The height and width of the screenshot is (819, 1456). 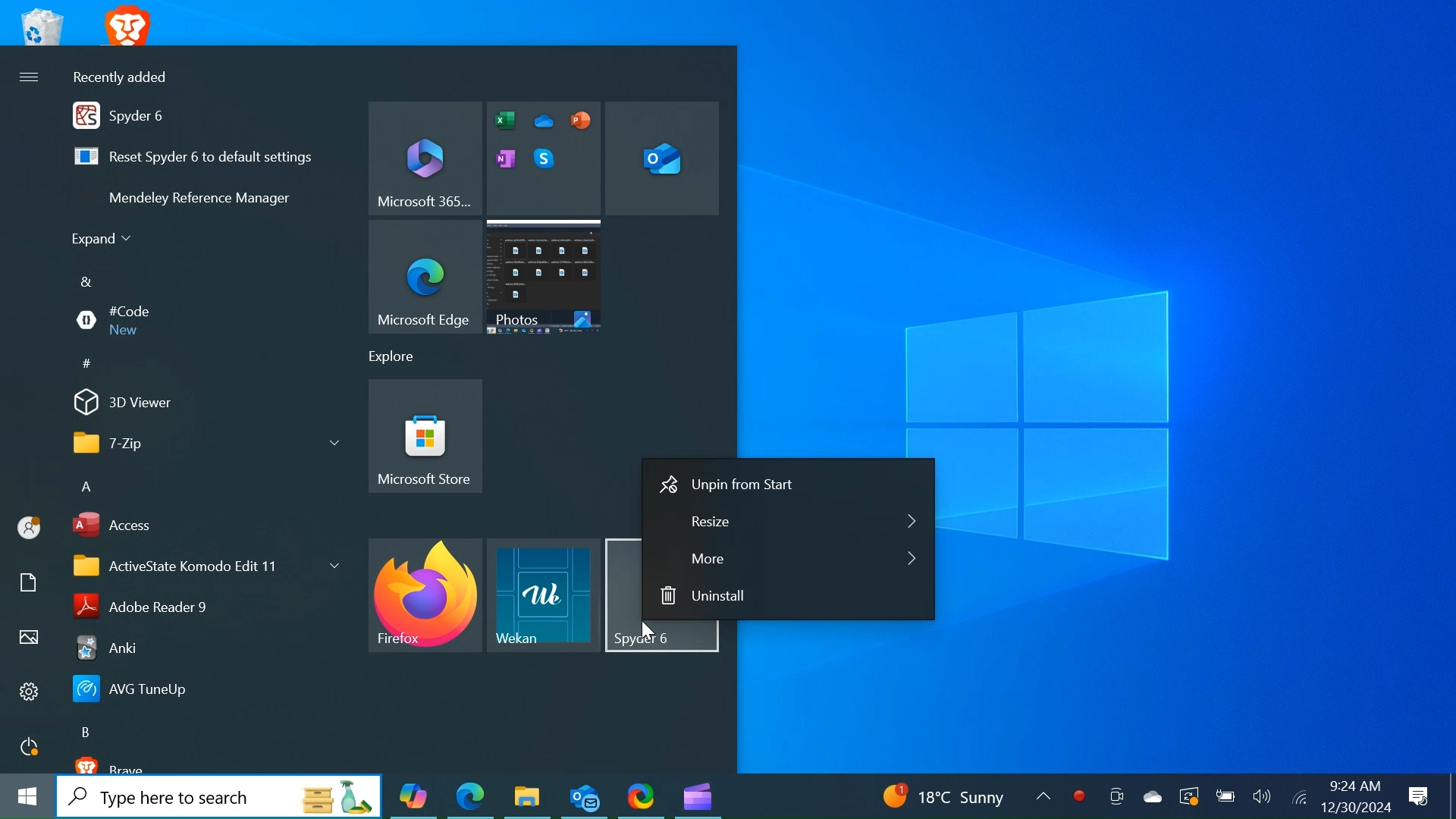 What do you see at coordinates (219, 797) in the screenshot?
I see `Search` at bounding box center [219, 797].